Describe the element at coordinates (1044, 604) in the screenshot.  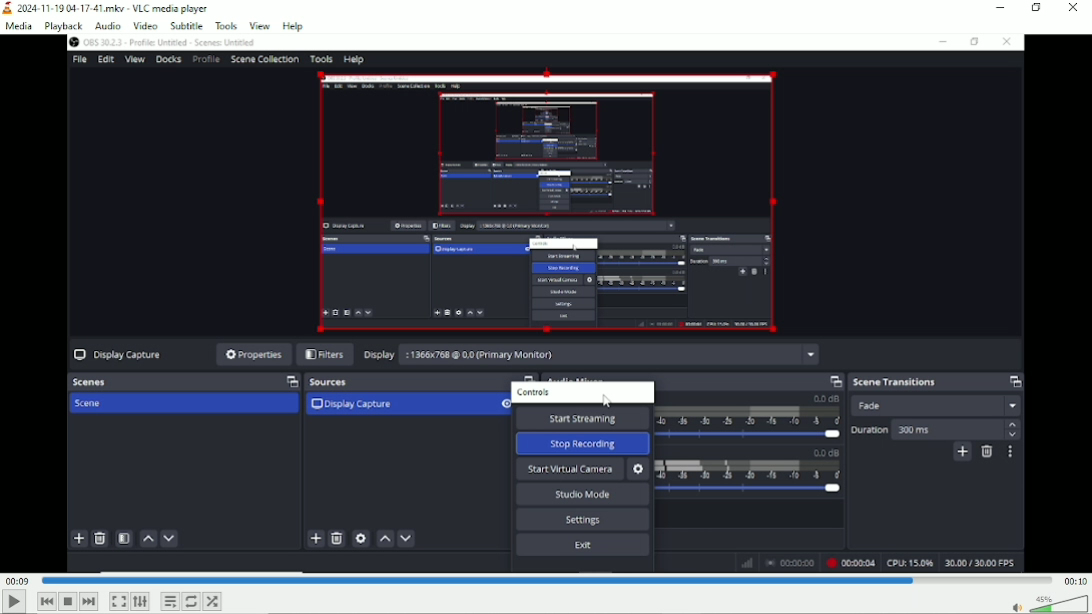
I see `Volume` at that location.